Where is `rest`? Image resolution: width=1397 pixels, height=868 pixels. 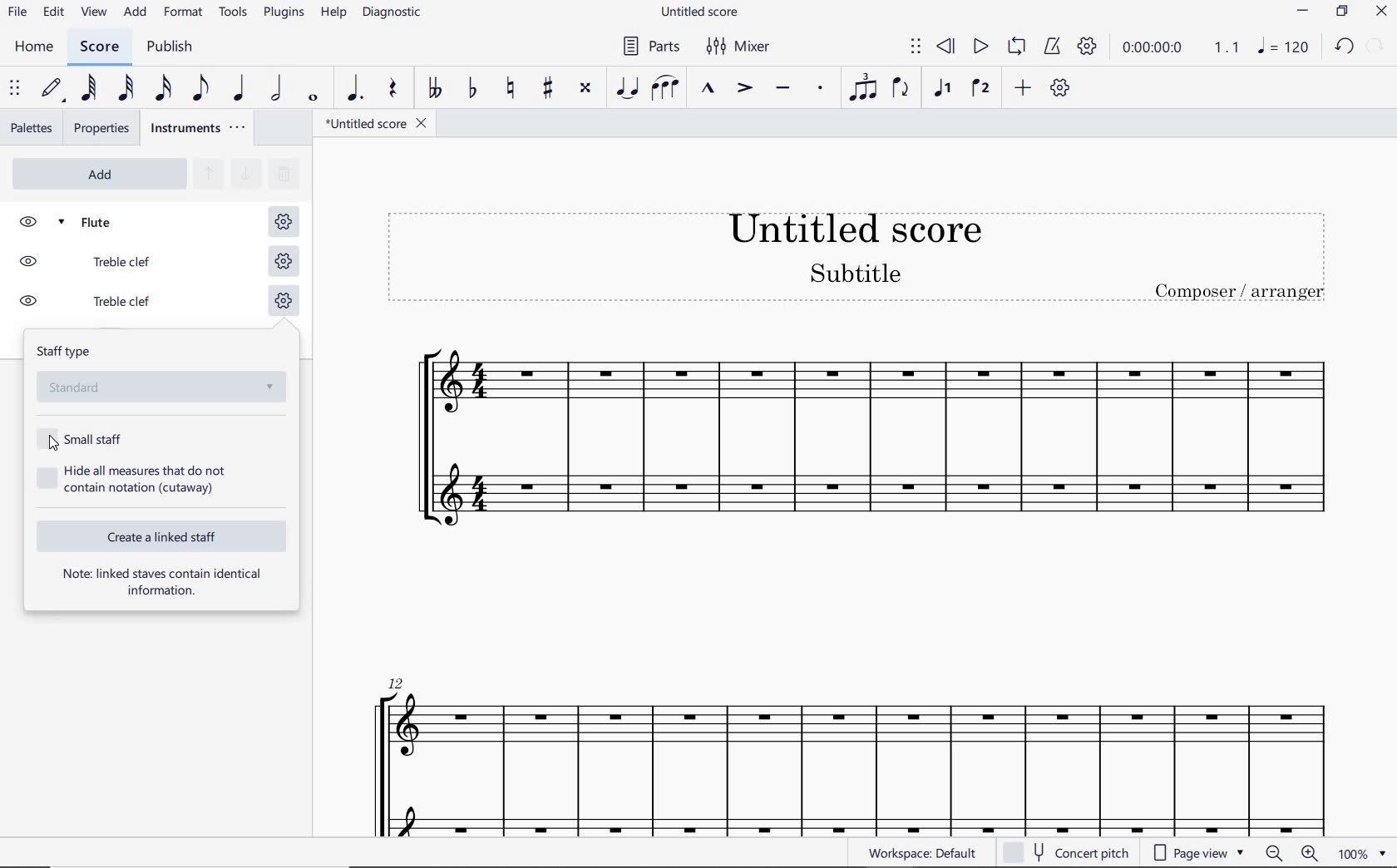
rest is located at coordinates (391, 91).